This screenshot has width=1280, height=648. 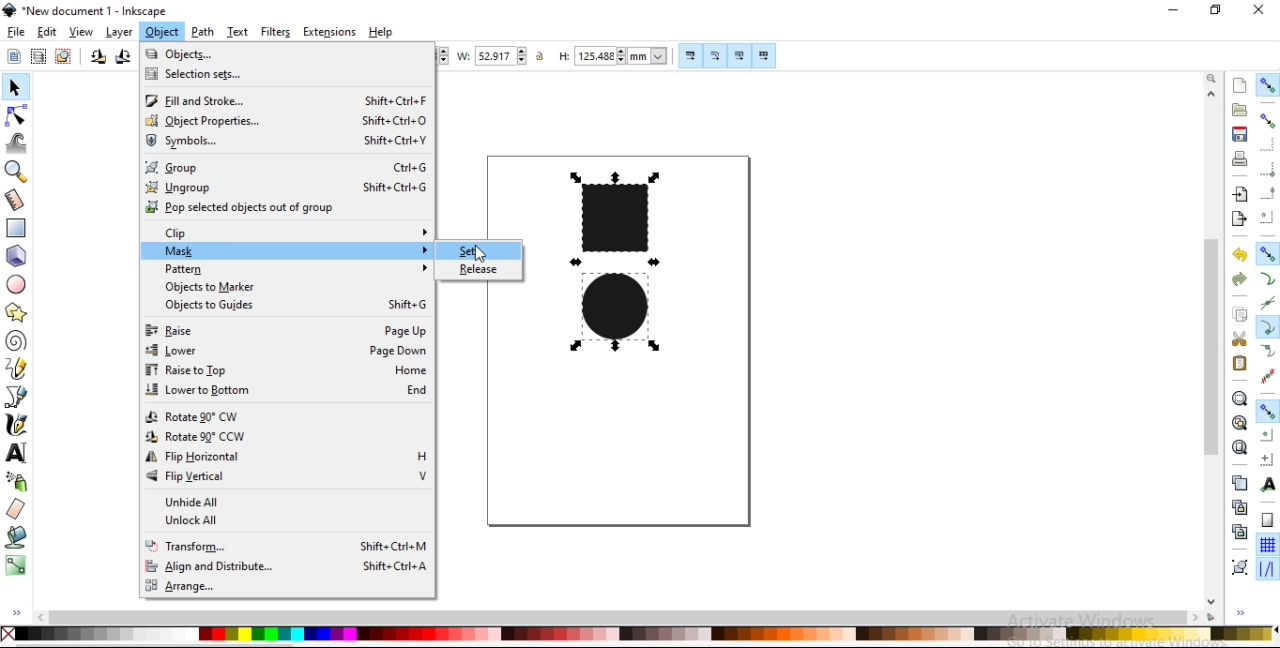 I want to click on snap to edges of bounding box, so click(x=1268, y=146).